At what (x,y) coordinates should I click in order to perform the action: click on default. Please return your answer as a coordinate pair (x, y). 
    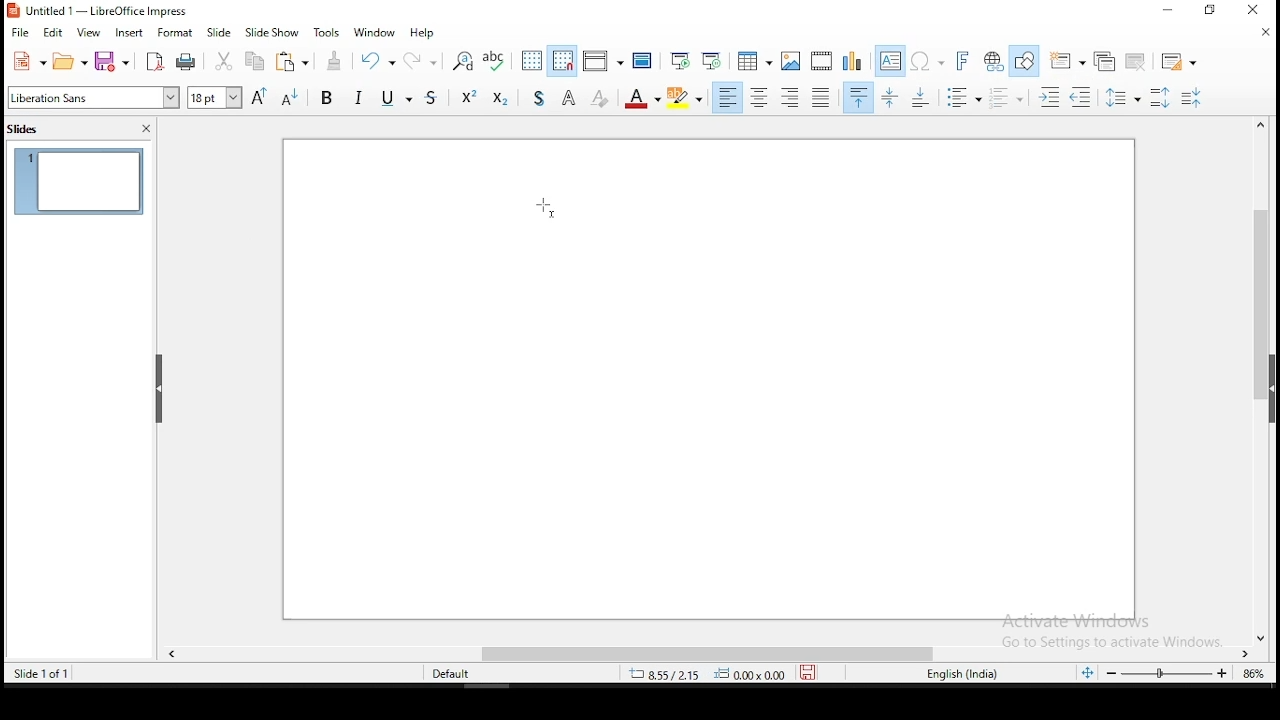
    Looking at the image, I should click on (448, 674).